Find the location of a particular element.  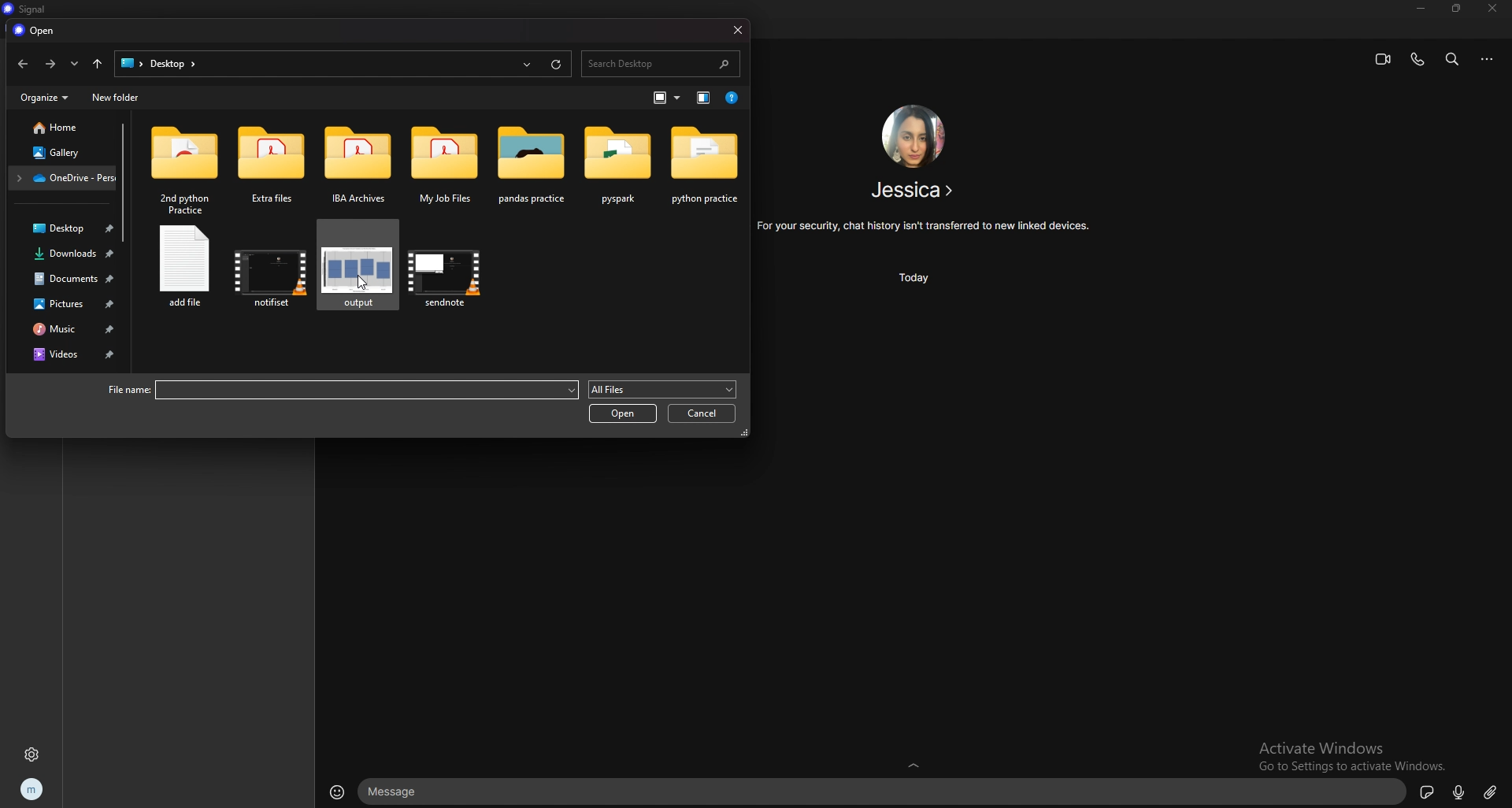

photo is located at coordinates (357, 276).